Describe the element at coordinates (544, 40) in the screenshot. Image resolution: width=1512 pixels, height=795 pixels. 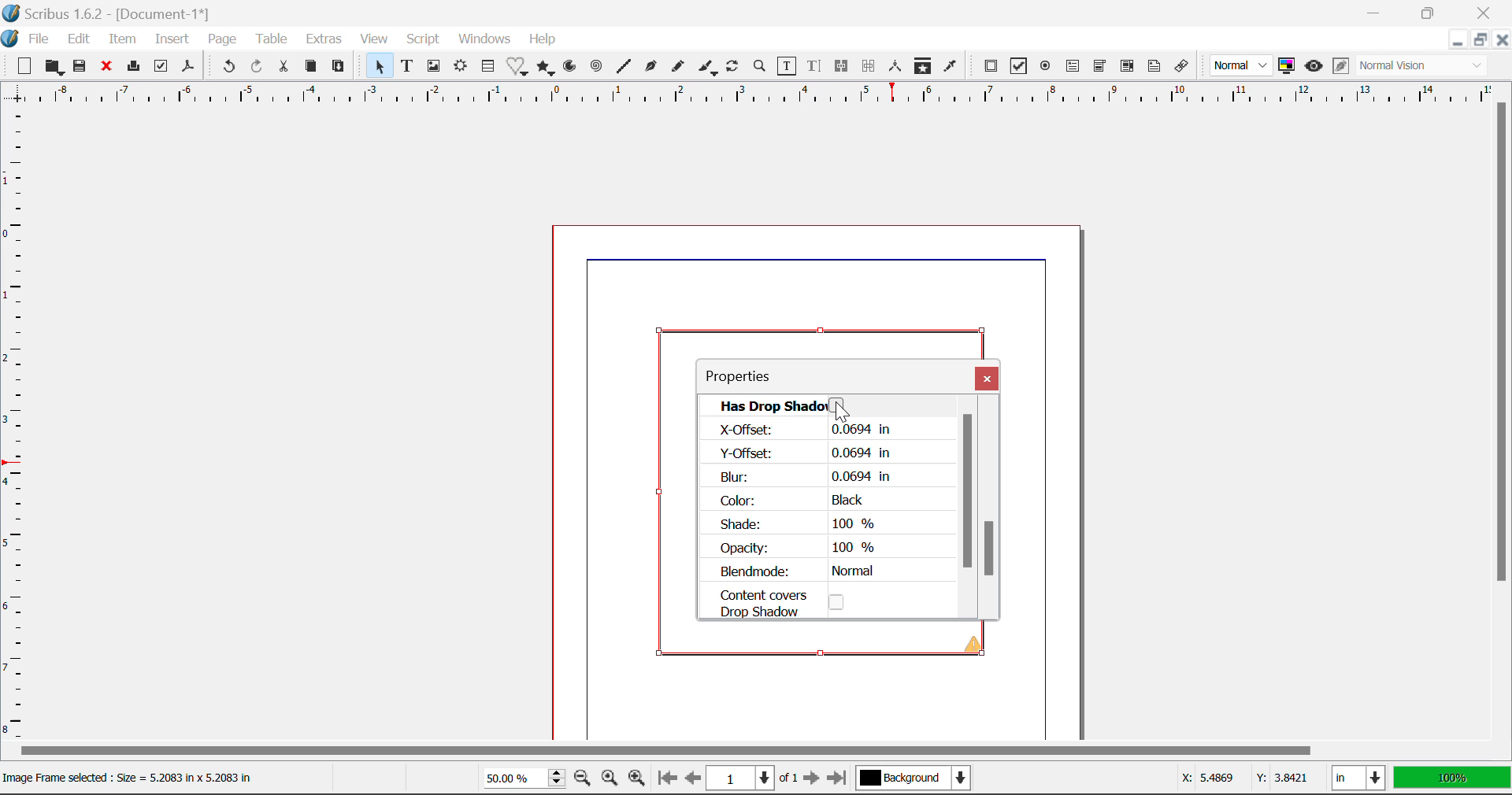
I see `Help` at that location.